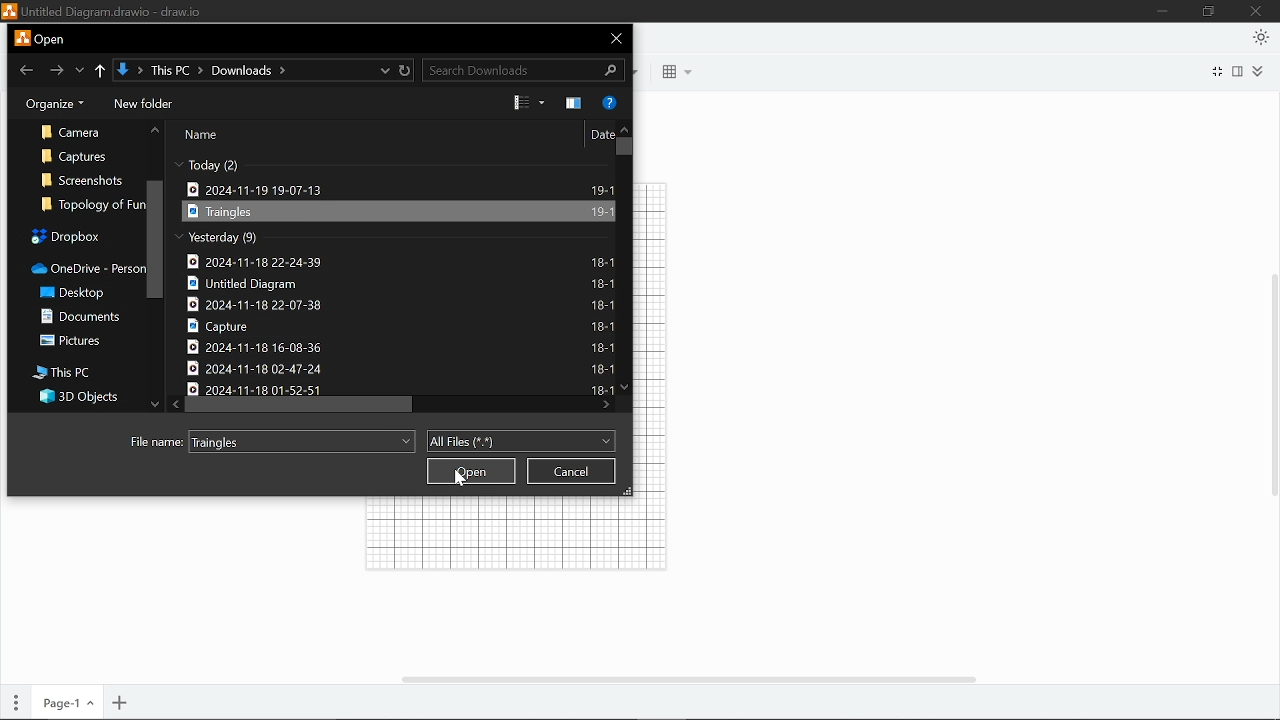 This screenshot has height=720, width=1280. I want to click on Untitled Diagram.drawio - draw.io, so click(116, 12).